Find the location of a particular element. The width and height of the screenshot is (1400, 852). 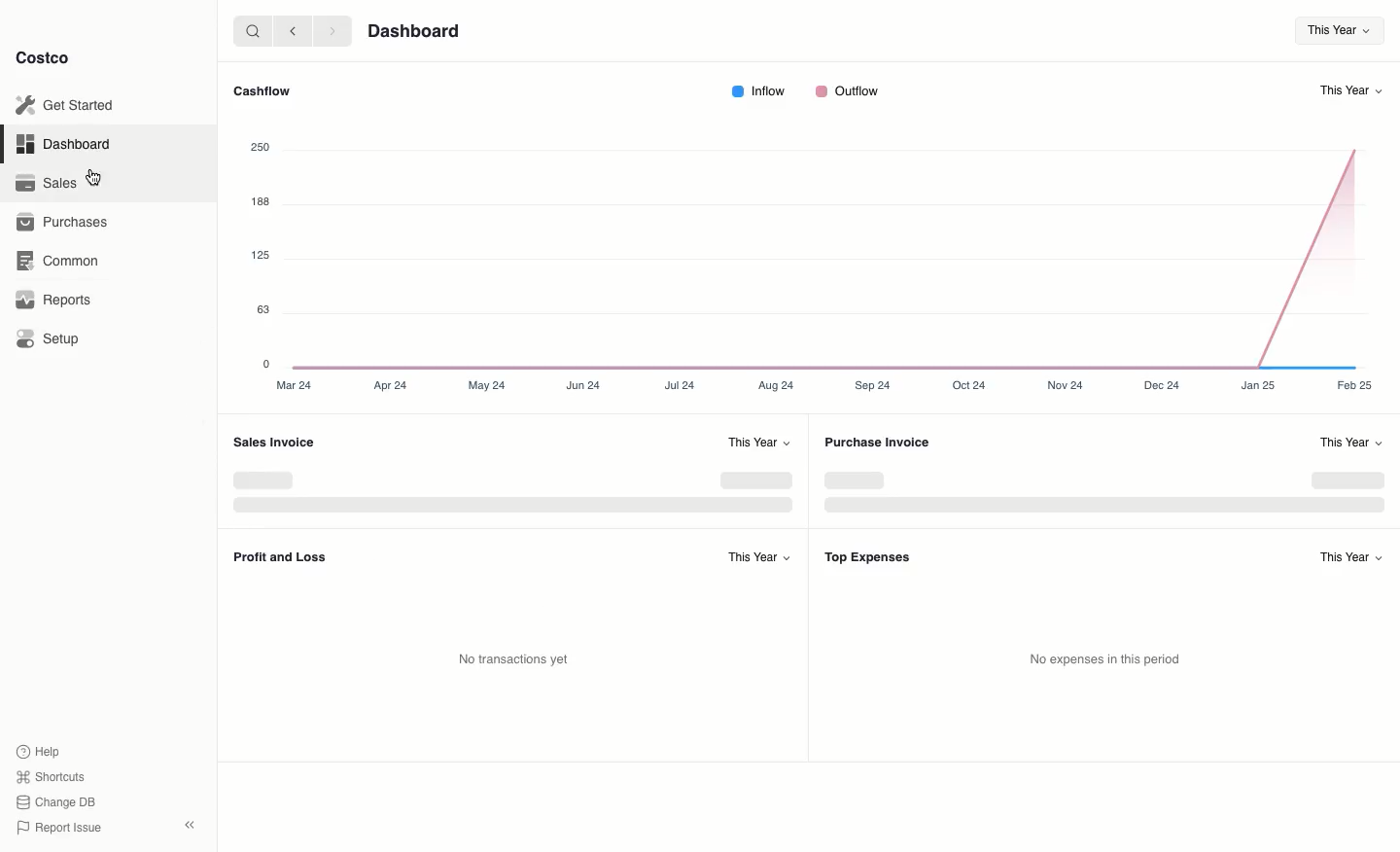

Sales is located at coordinates (45, 182).